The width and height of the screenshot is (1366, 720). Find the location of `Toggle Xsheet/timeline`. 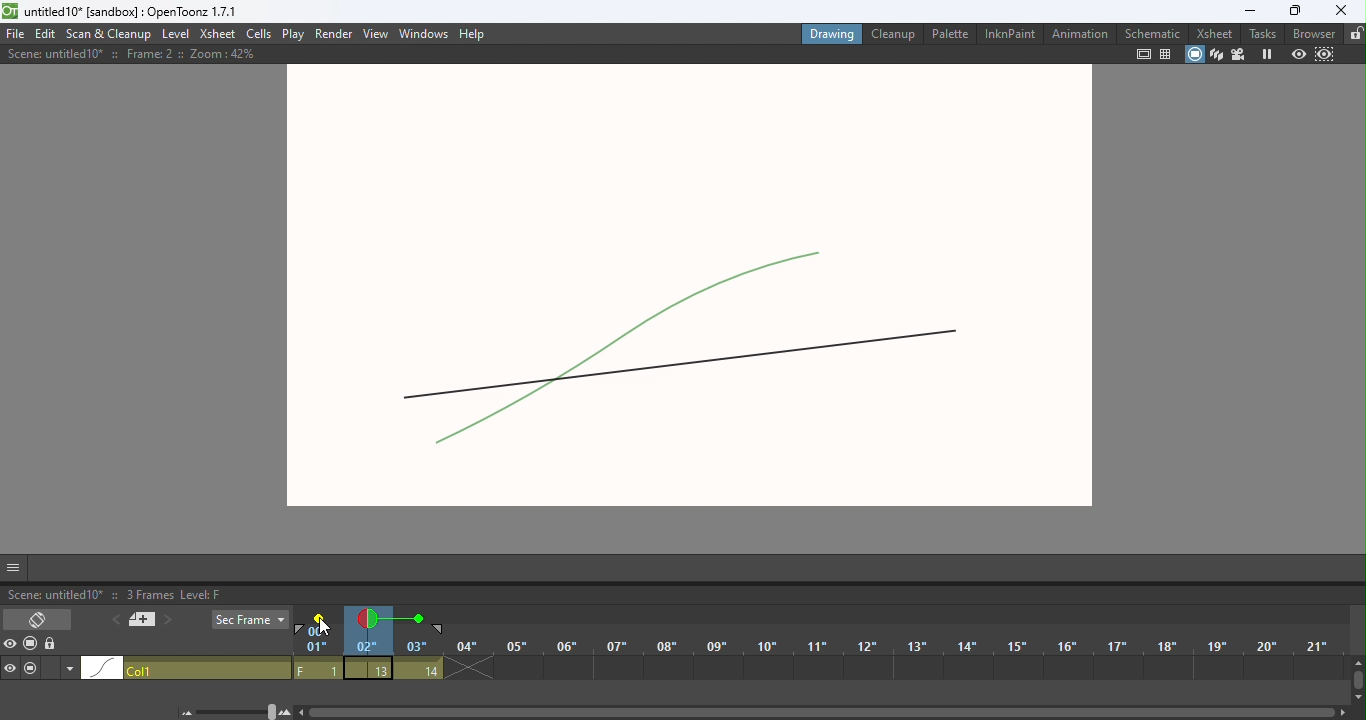

Toggle Xsheet/timeline is located at coordinates (38, 620).